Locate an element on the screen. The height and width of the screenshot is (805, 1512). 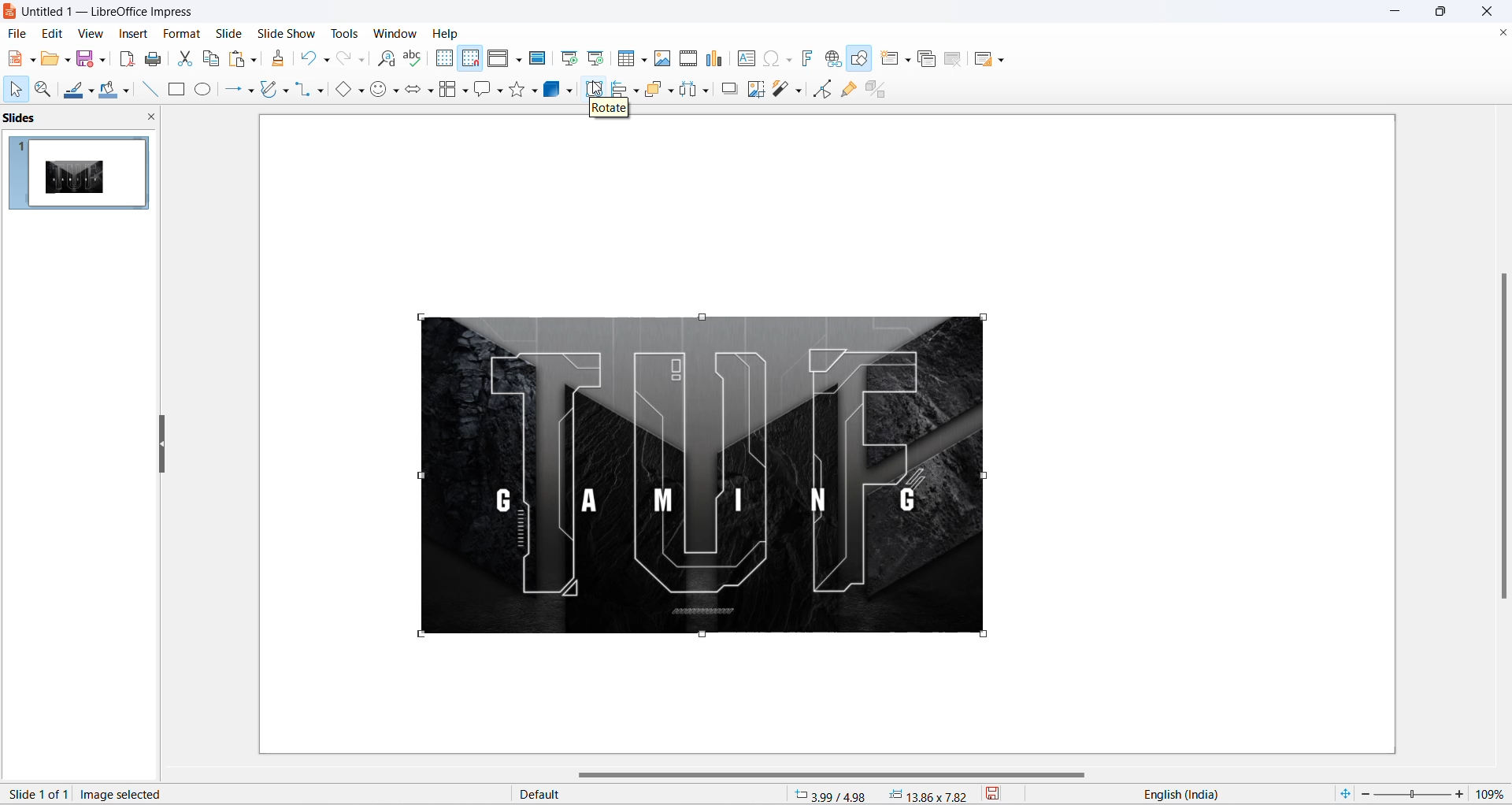
align is located at coordinates (621, 90).